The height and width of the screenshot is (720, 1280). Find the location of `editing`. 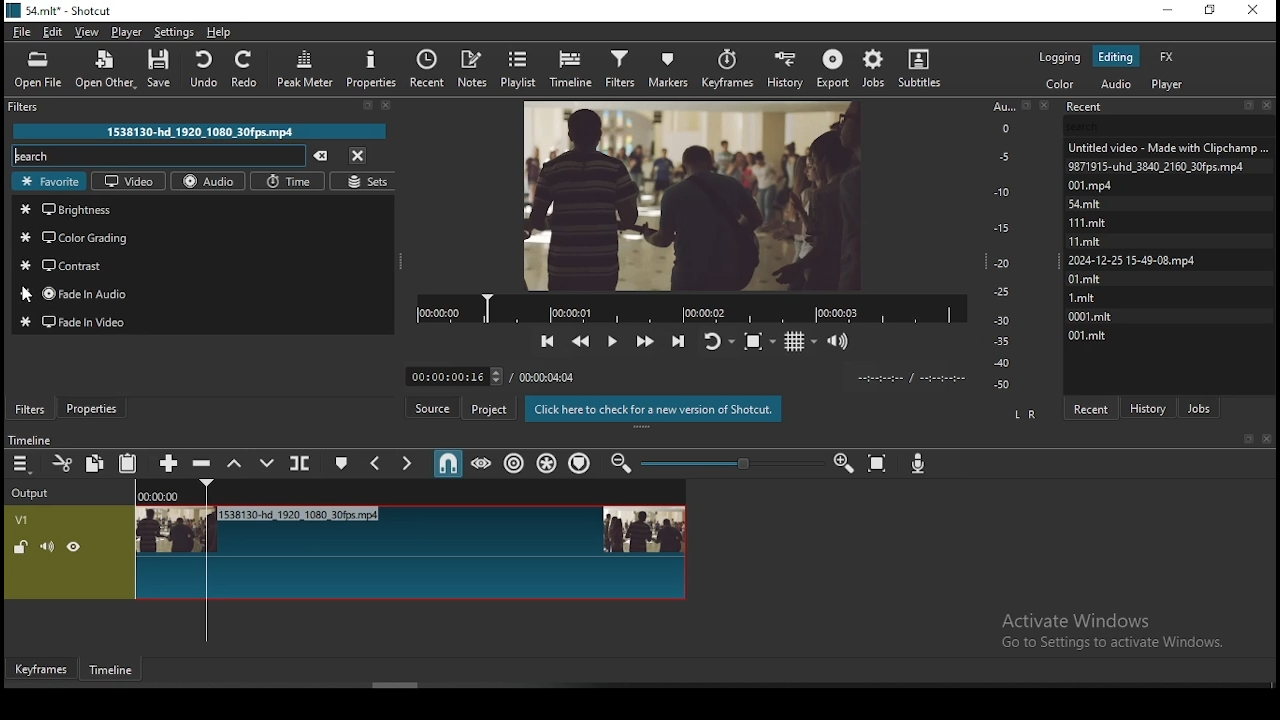

editing is located at coordinates (1115, 56).